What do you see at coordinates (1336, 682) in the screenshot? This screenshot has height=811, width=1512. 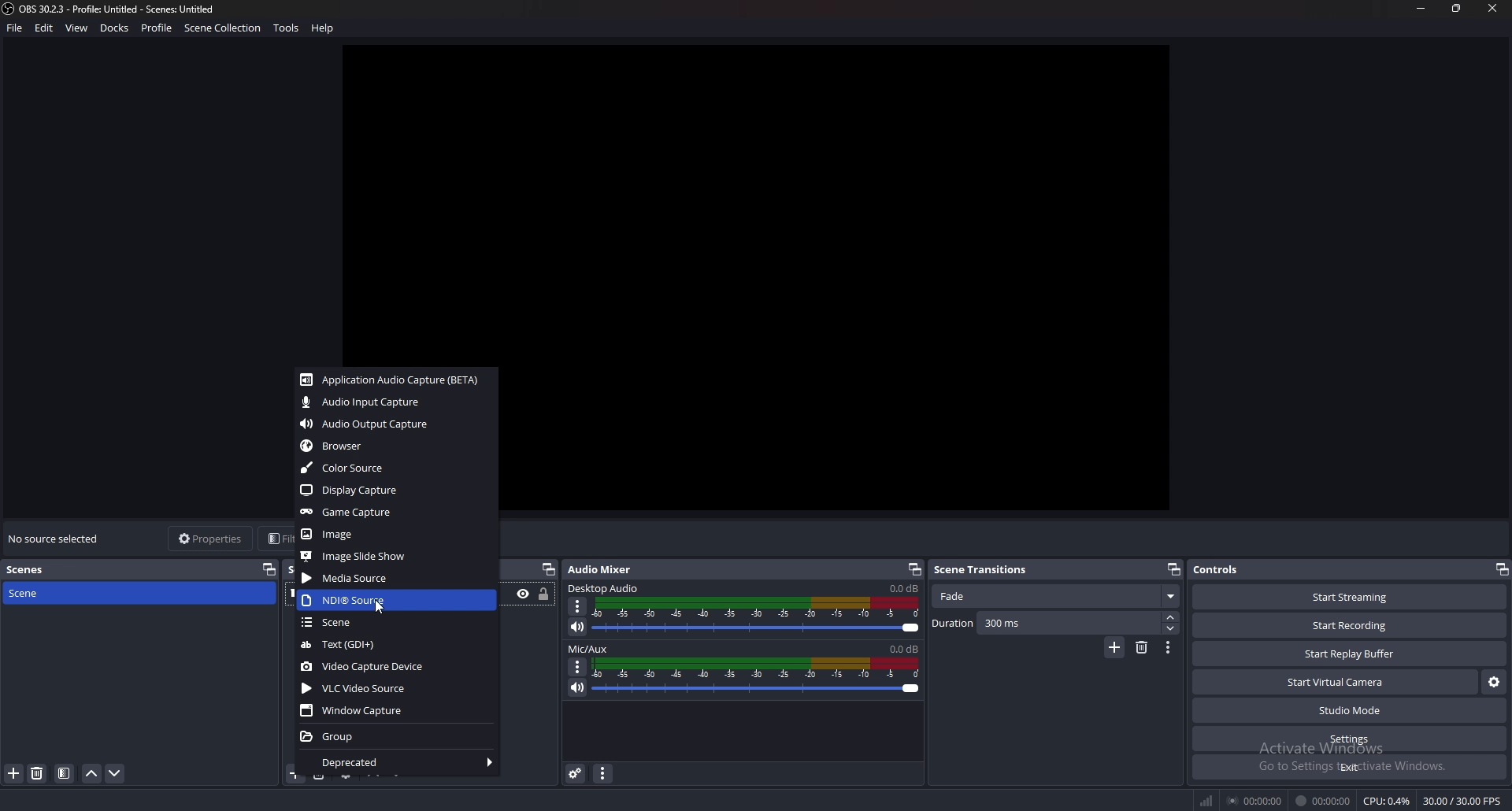 I see `start virtual camera` at bounding box center [1336, 682].